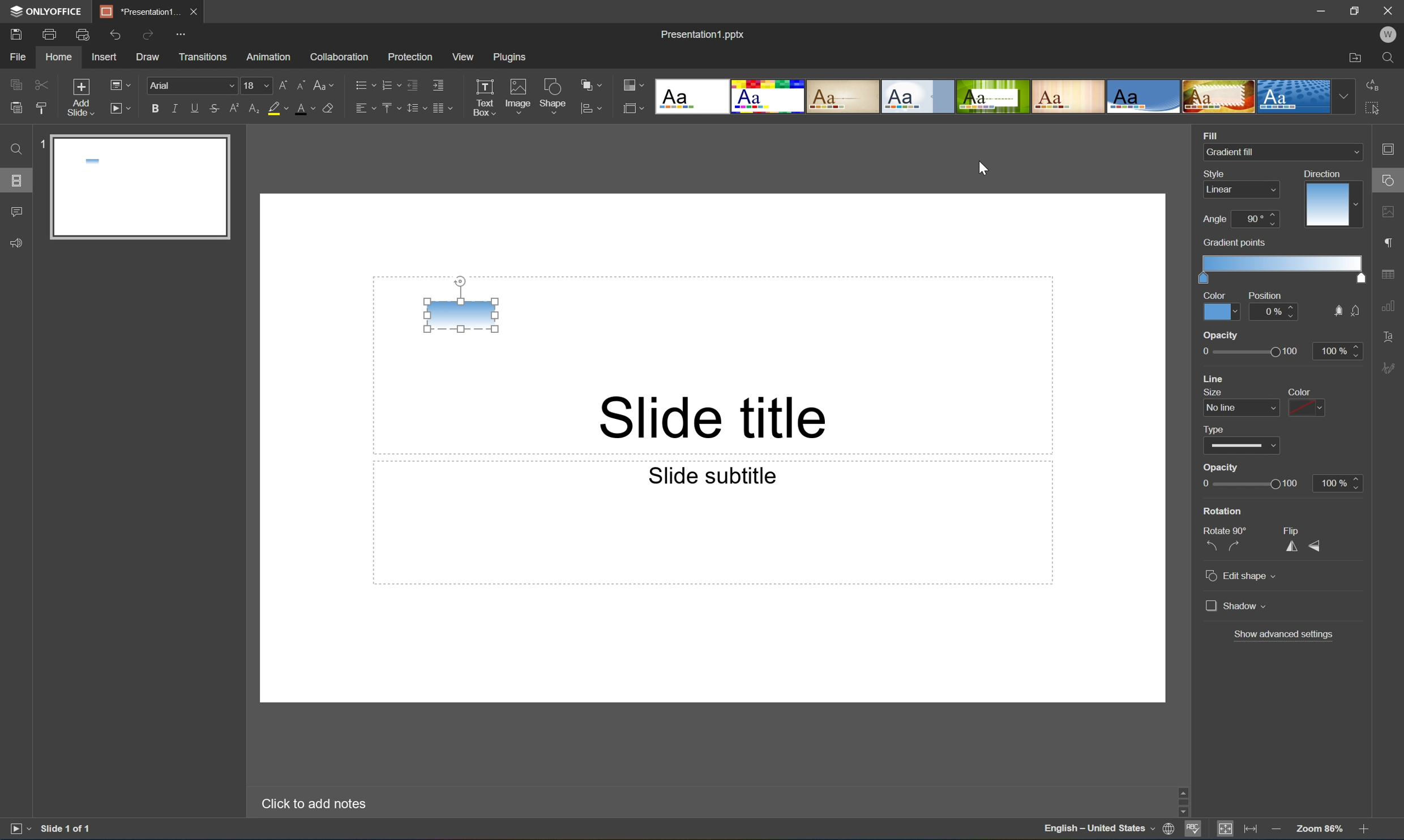 The width and height of the screenshot is (1404, 840). I want to click on Change case, so click(324, 82).